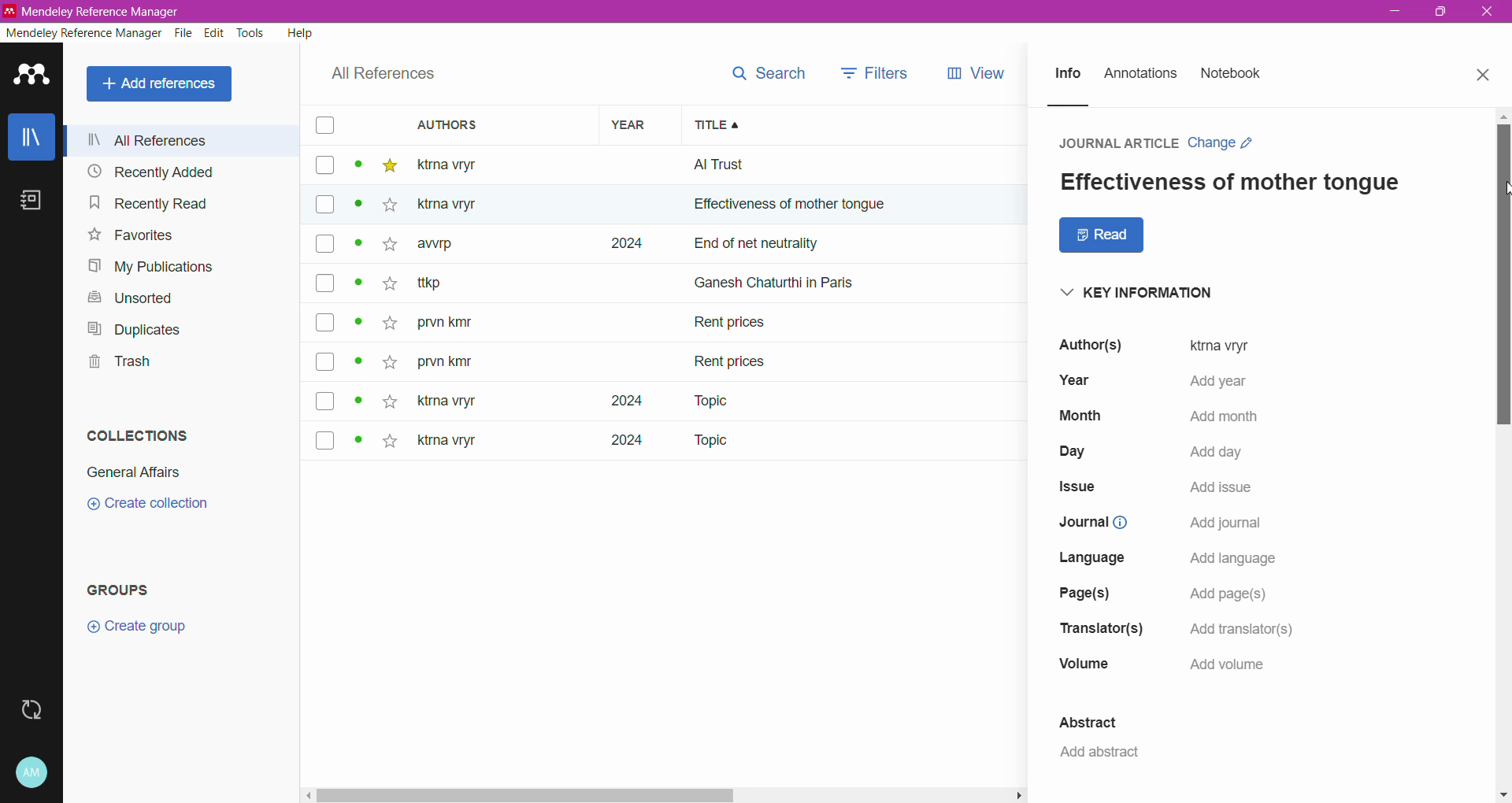 This screenshot has width=1512, height=803. Describe the element at coordinates (1236, 557) in the screenshot. I see `Click to add language` at that location.